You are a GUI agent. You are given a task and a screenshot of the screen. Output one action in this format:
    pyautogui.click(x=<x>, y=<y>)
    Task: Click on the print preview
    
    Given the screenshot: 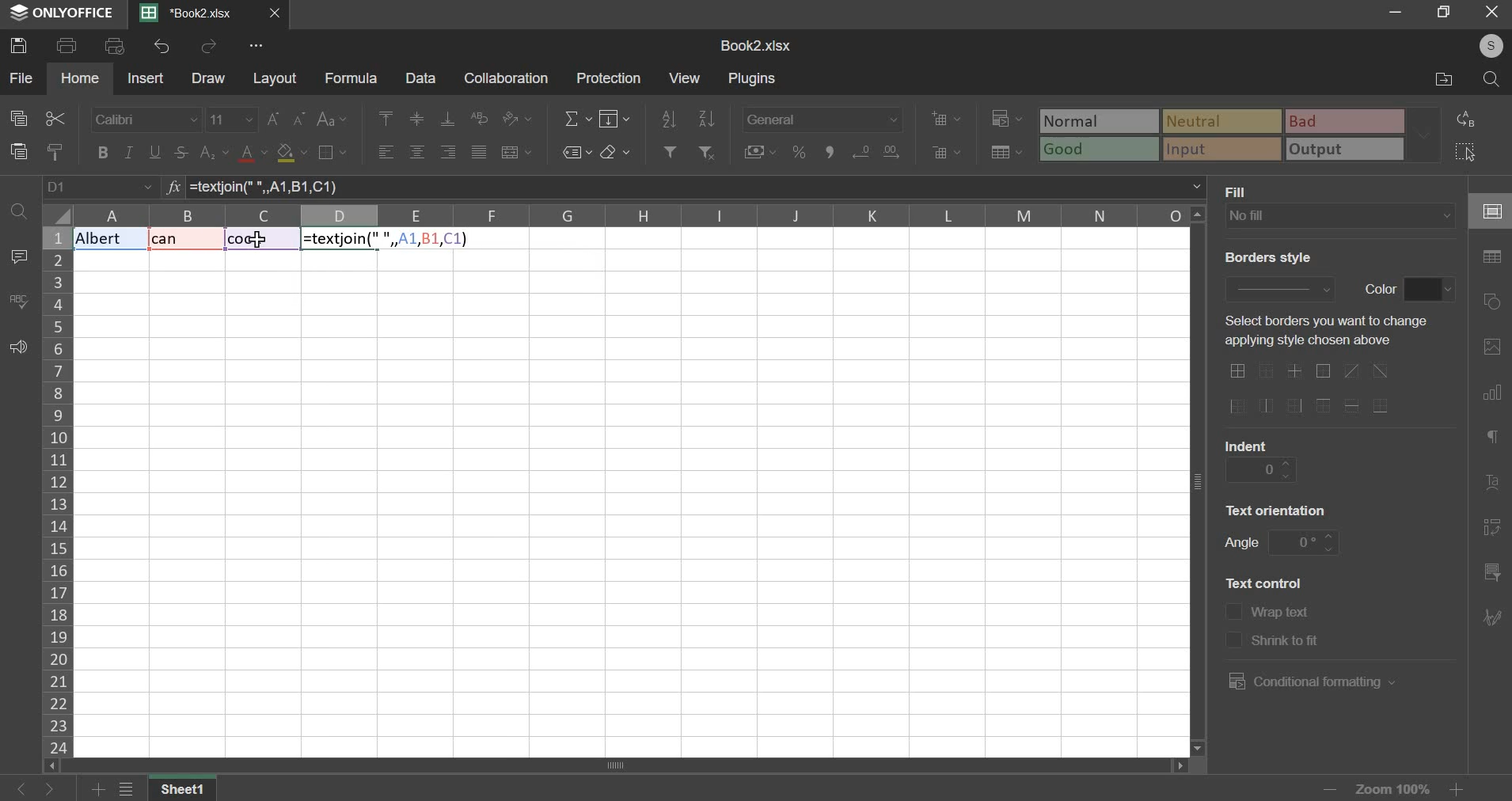 What is the action you would take?
    pyautogui.click(x=116, y=46)
    